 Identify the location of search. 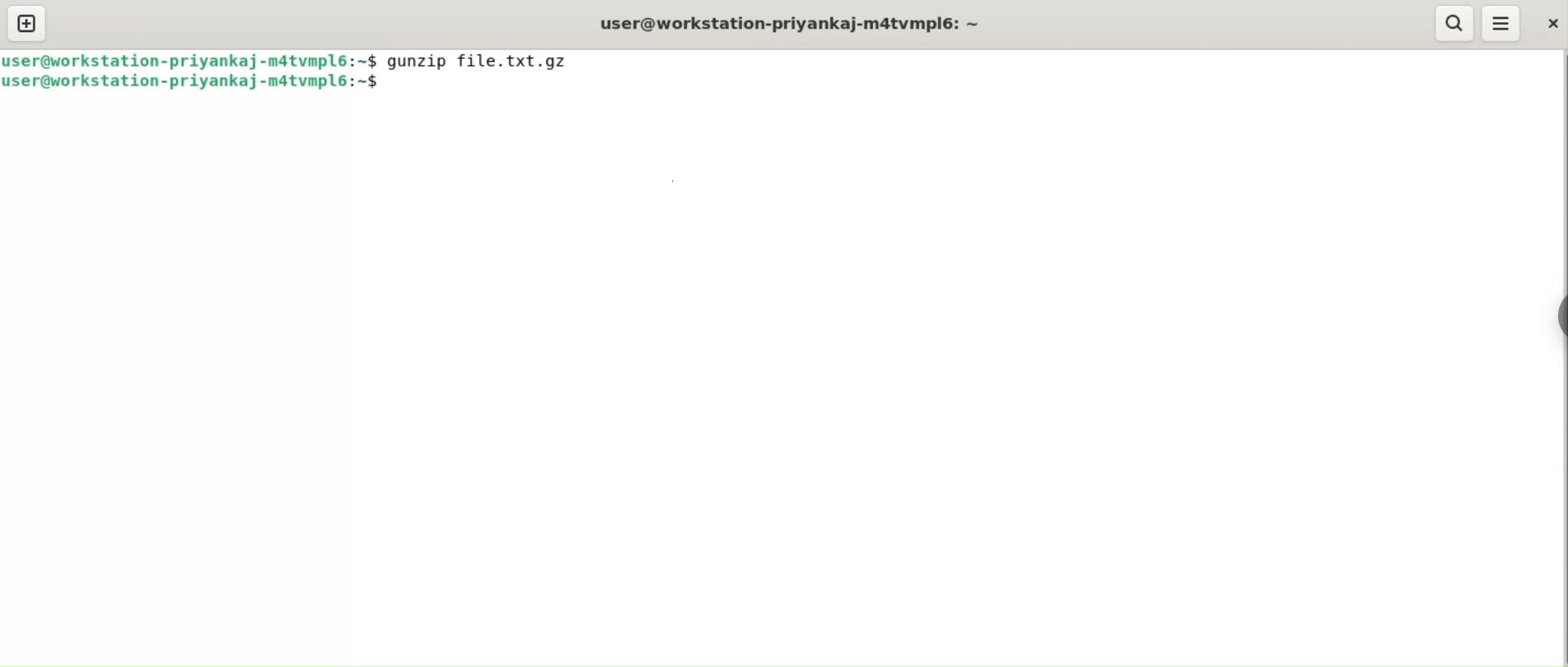
(1451, 23).